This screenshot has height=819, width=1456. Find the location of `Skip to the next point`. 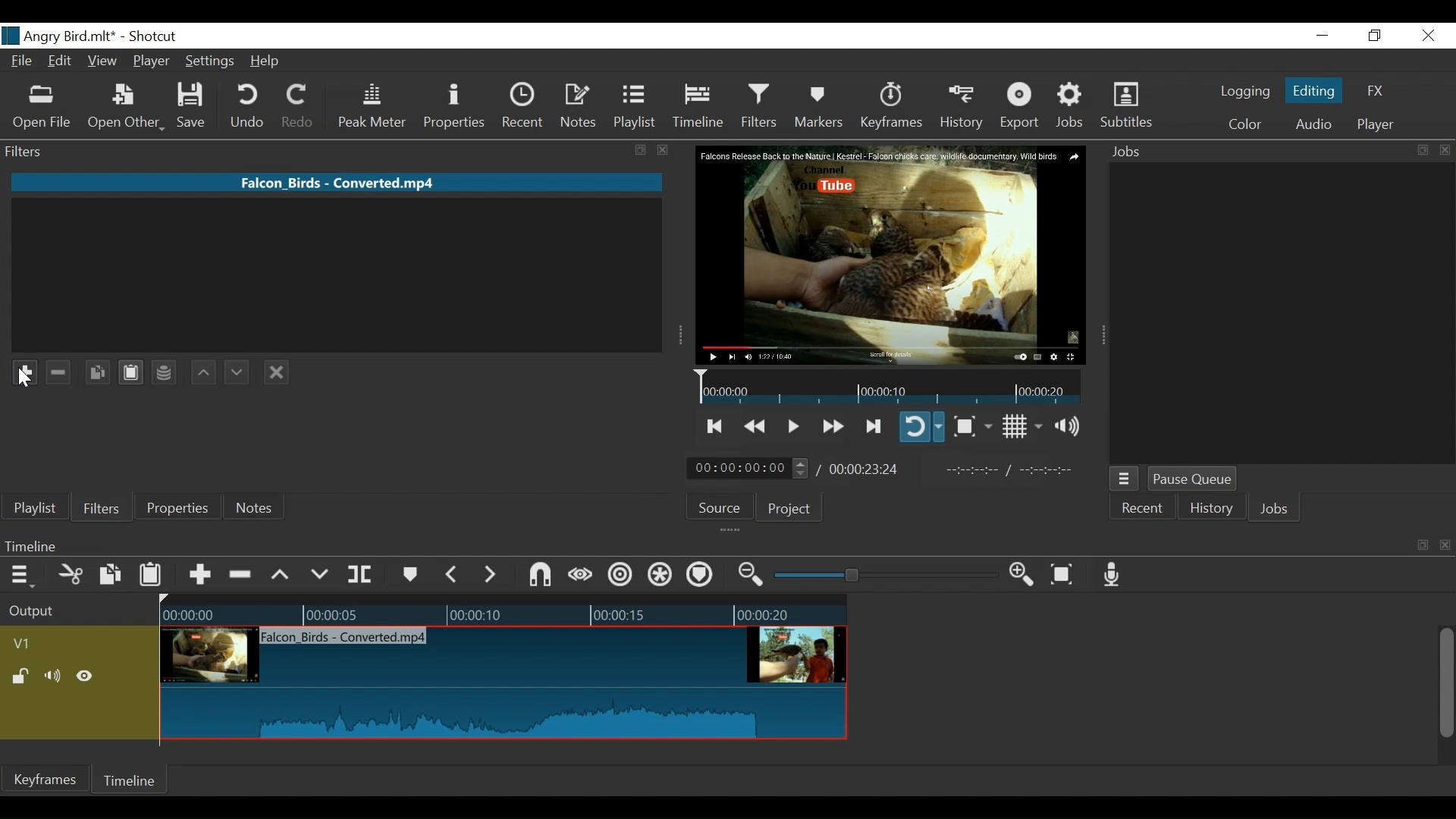

Skip to the next point is located at coordinates (874, 427).